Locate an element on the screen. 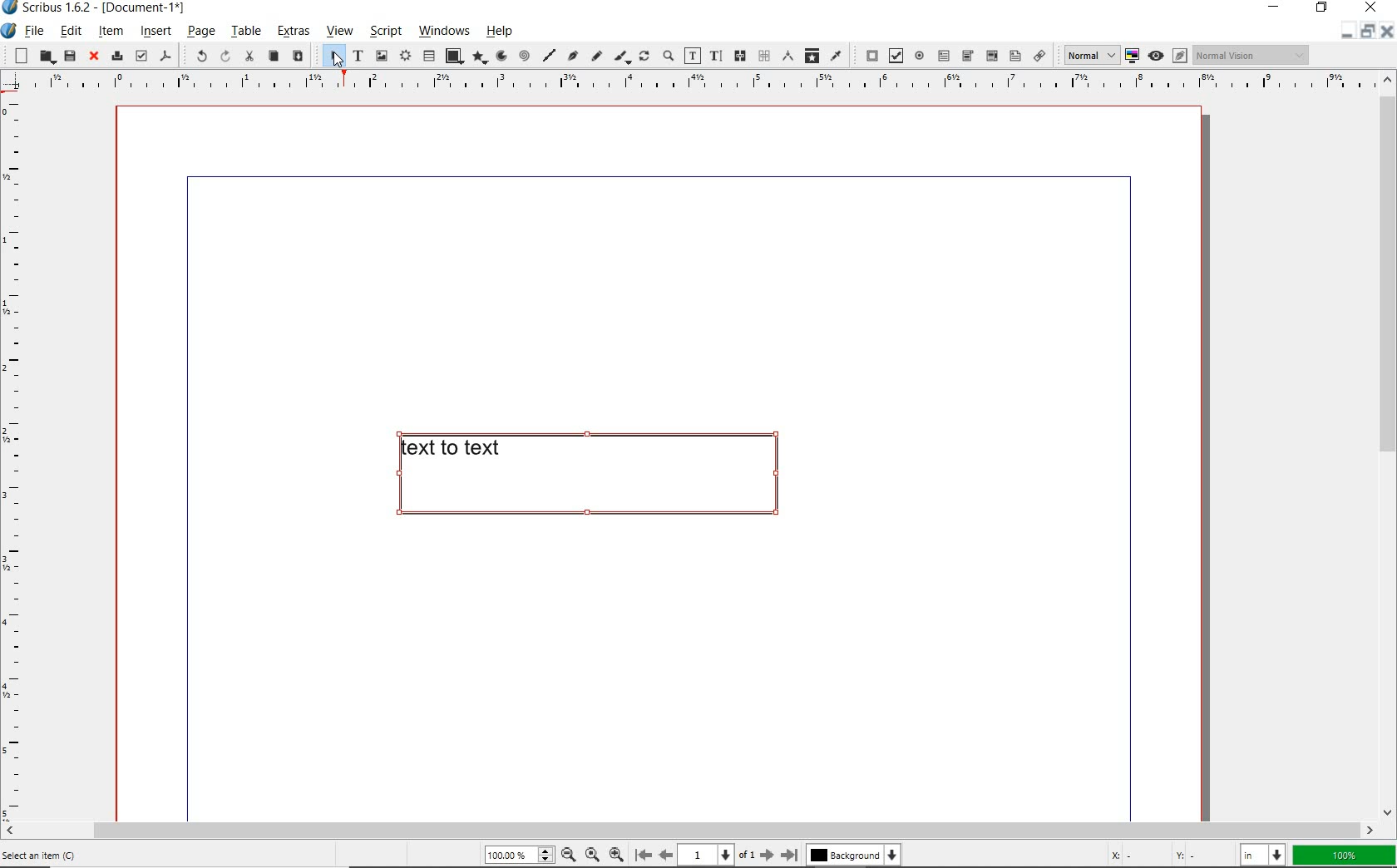 This screenshot has height=868, width=1397. Cursor is located at coordinates (335, 62).